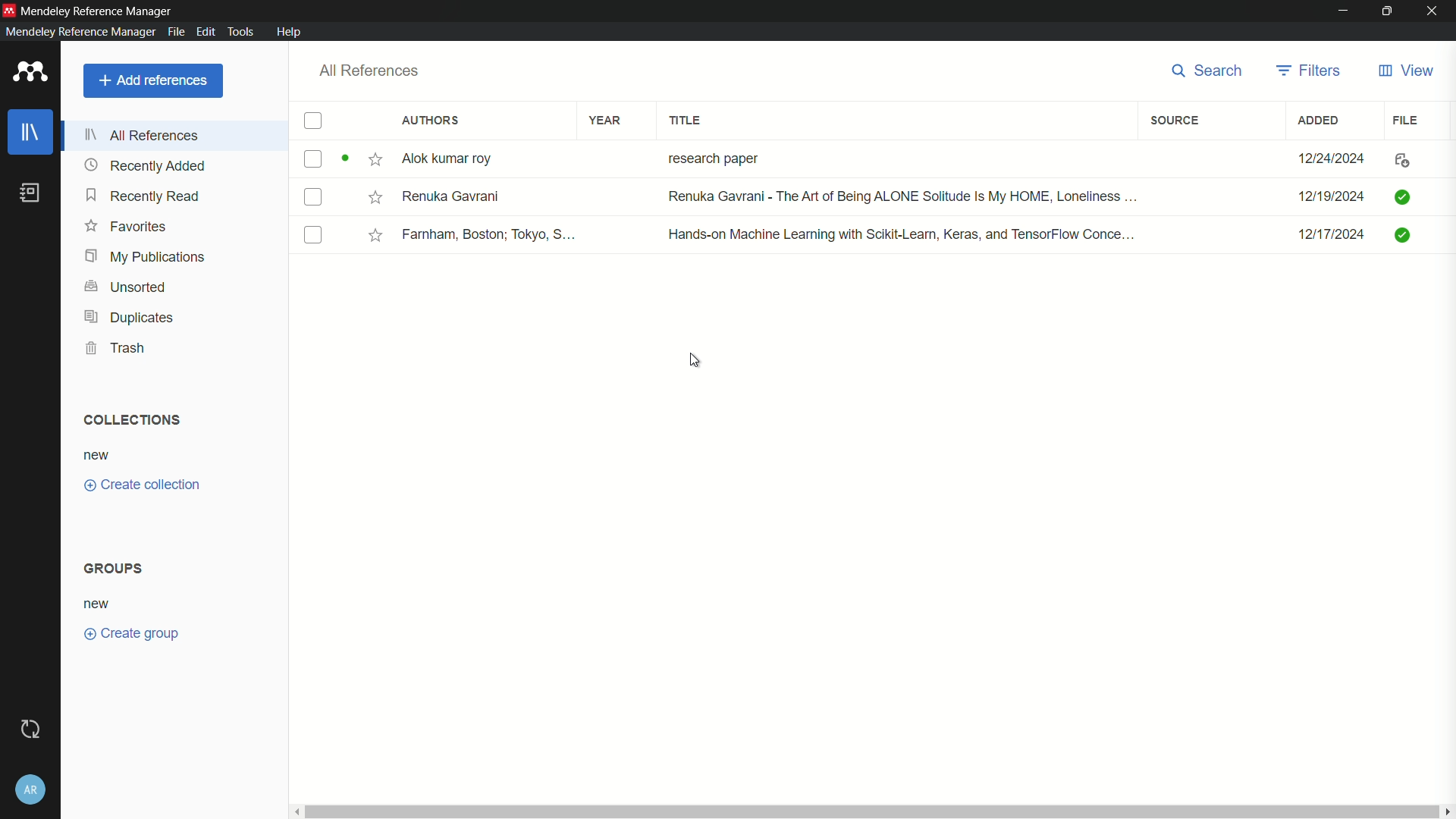 This screenshot has height=819, width=1456. What do you see at coordinates (78, 31) in the screenshot?
I see `mendeley reference manager` at bounding box center [78, 31].